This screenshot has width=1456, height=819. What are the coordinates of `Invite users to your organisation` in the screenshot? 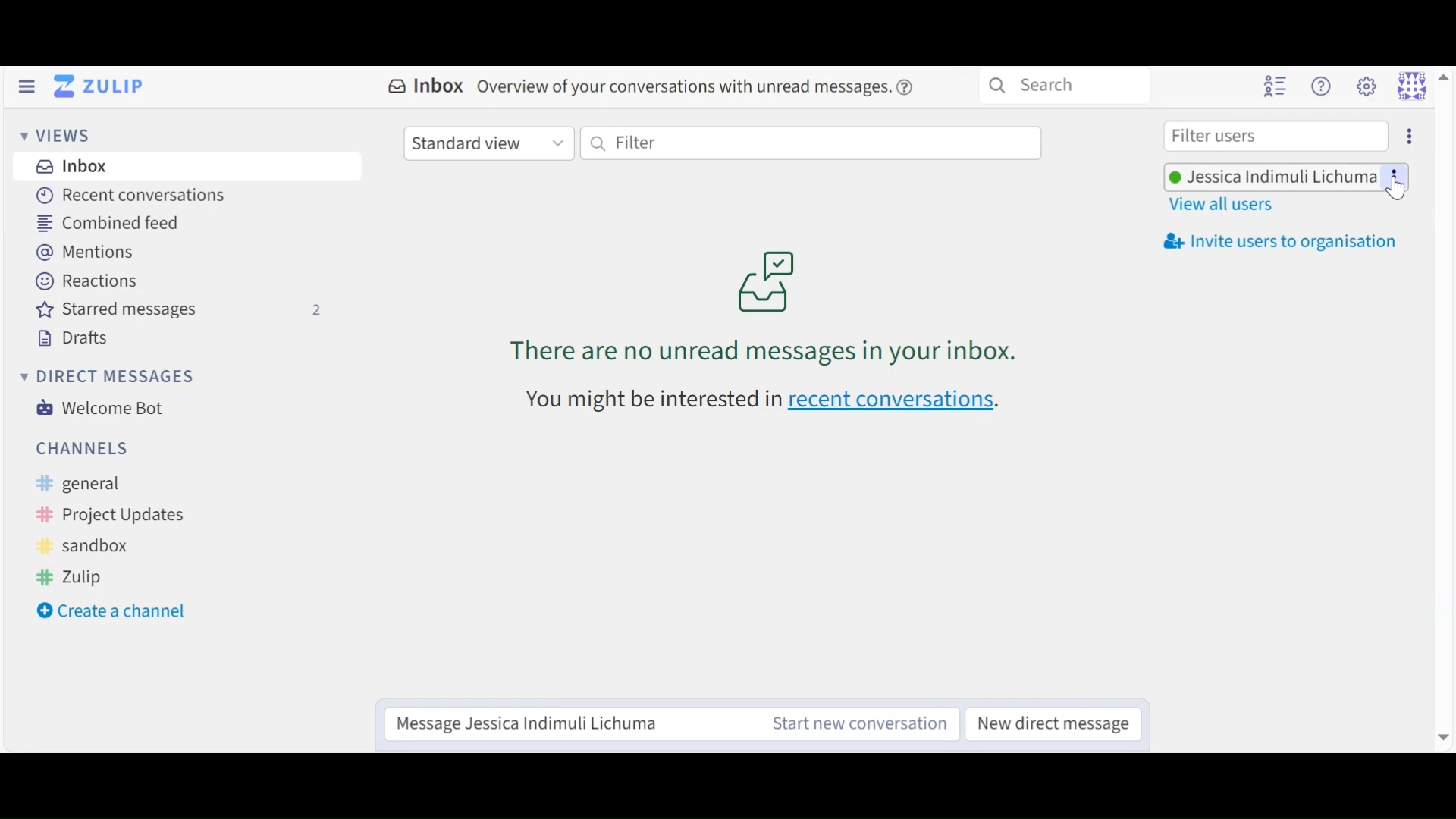 It's located at (1279, 242).